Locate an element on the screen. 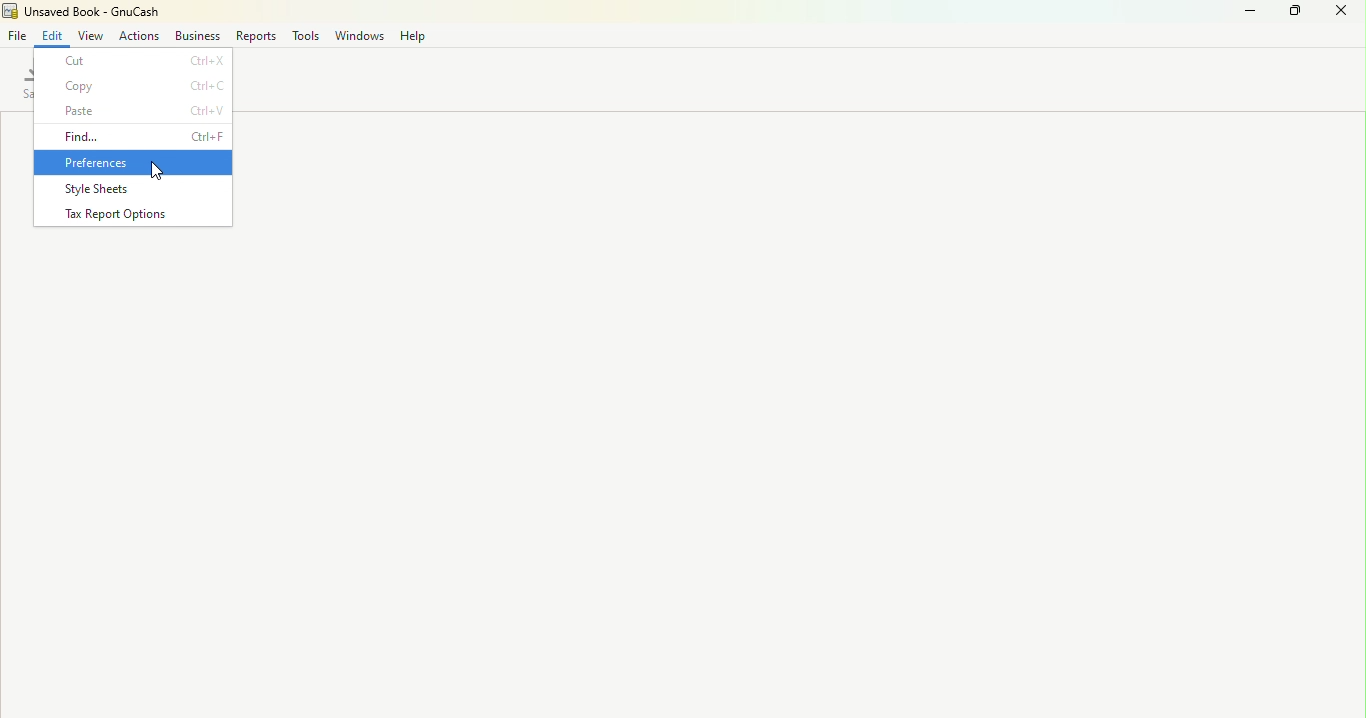  view is located at coordinates (89, 35).